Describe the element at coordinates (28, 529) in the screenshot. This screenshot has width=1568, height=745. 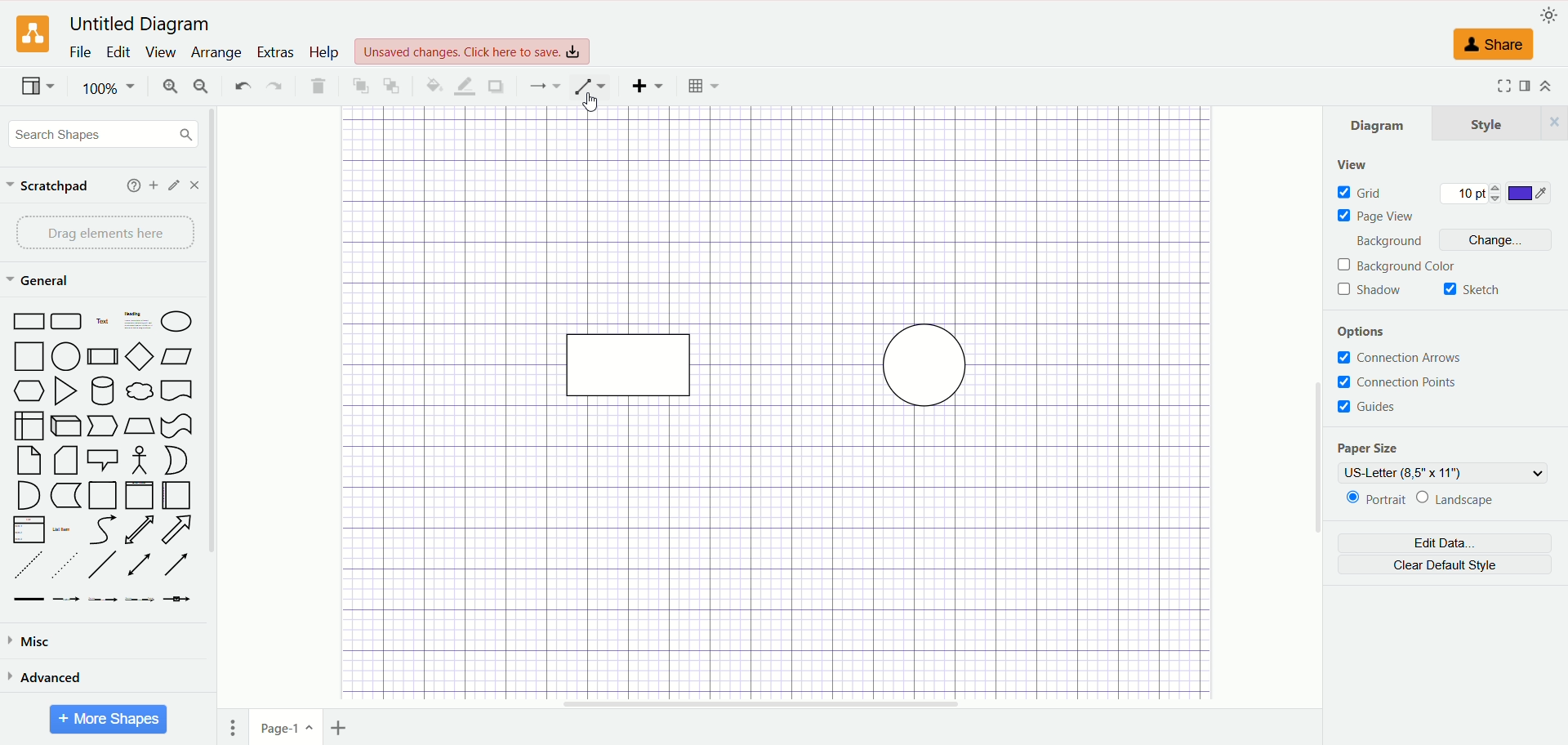
I see `Item List` at that location.